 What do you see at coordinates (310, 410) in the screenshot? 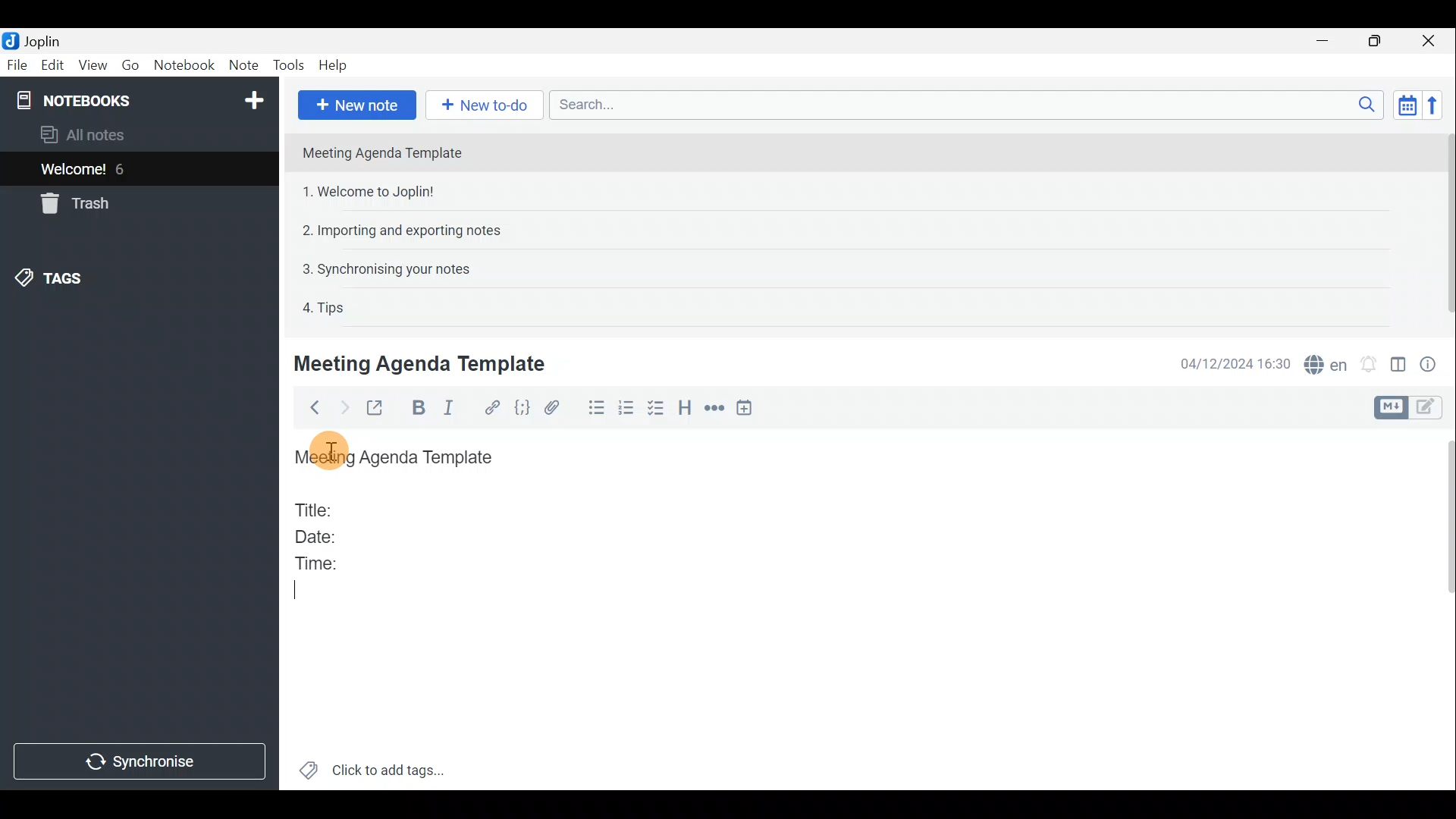
I see `Back` at bounding box center [310, 410].